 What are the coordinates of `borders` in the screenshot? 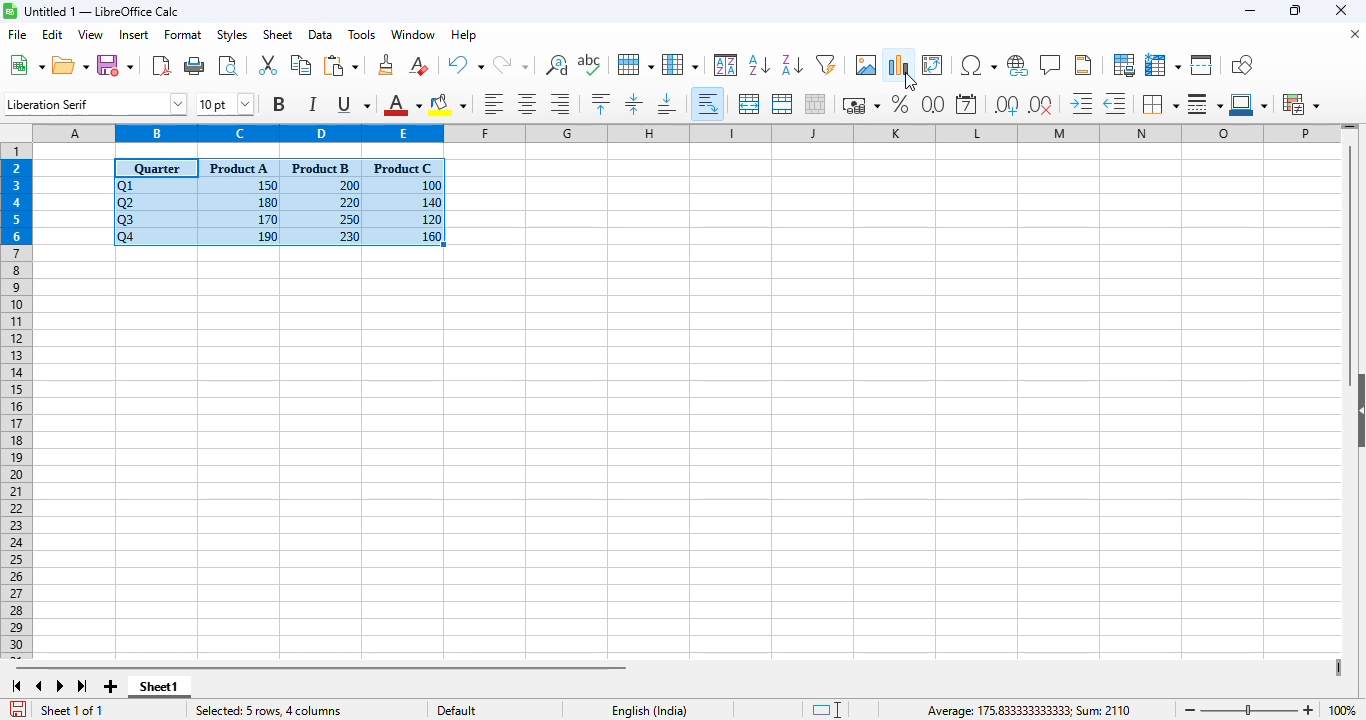 It's located at (1160, 103).